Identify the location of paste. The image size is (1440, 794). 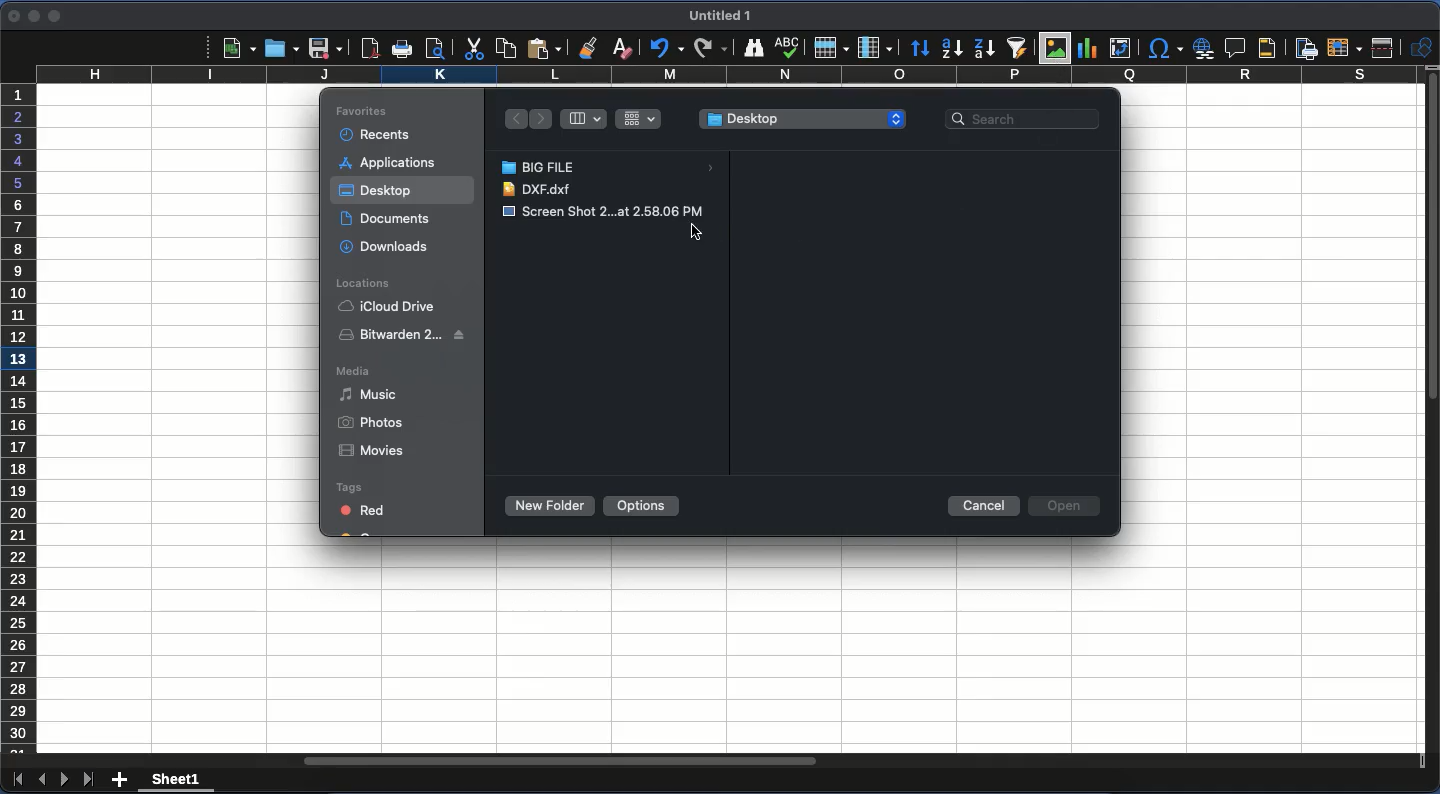
(505, 47).